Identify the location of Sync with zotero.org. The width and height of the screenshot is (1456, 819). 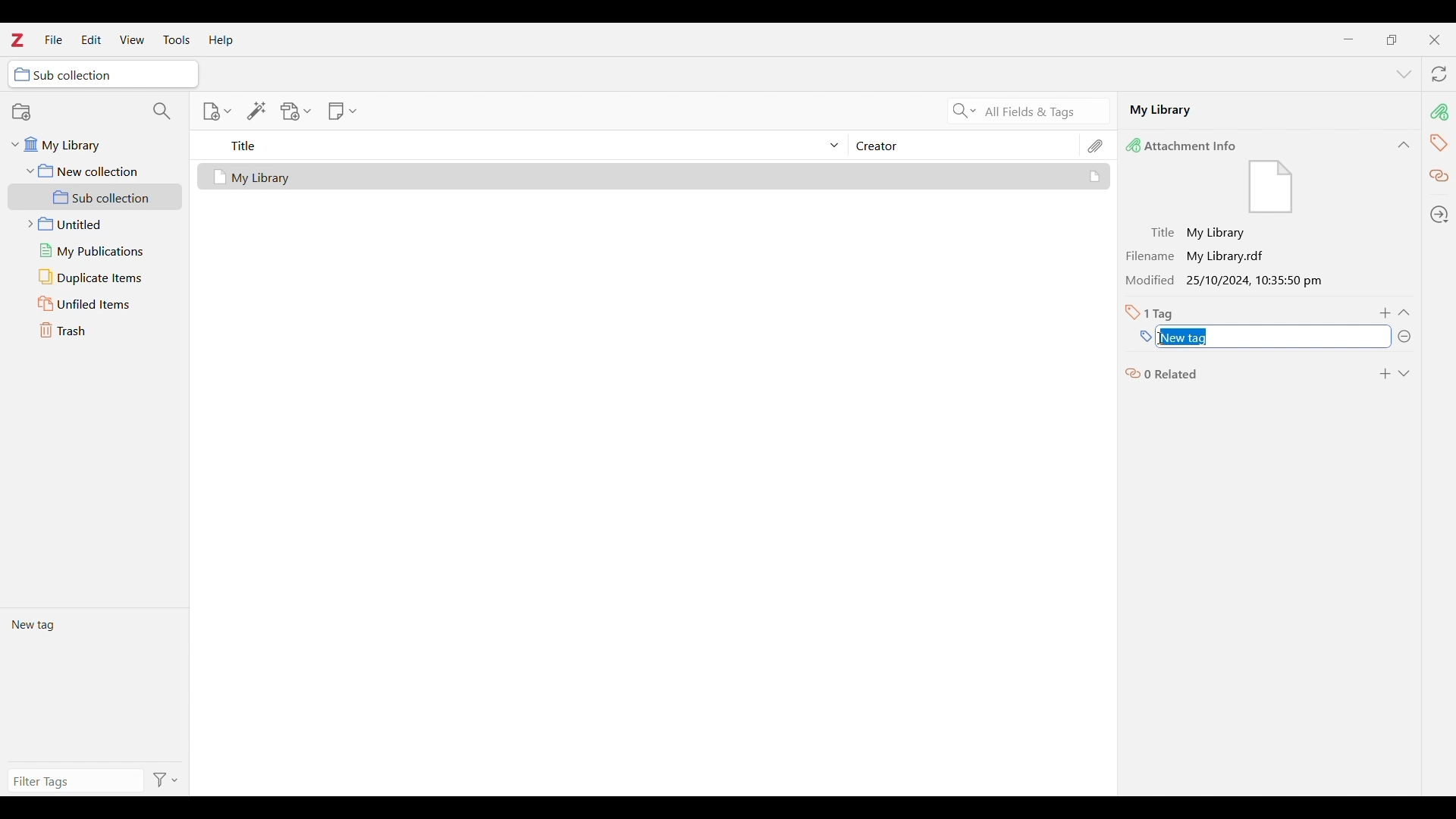
(1439, 74).